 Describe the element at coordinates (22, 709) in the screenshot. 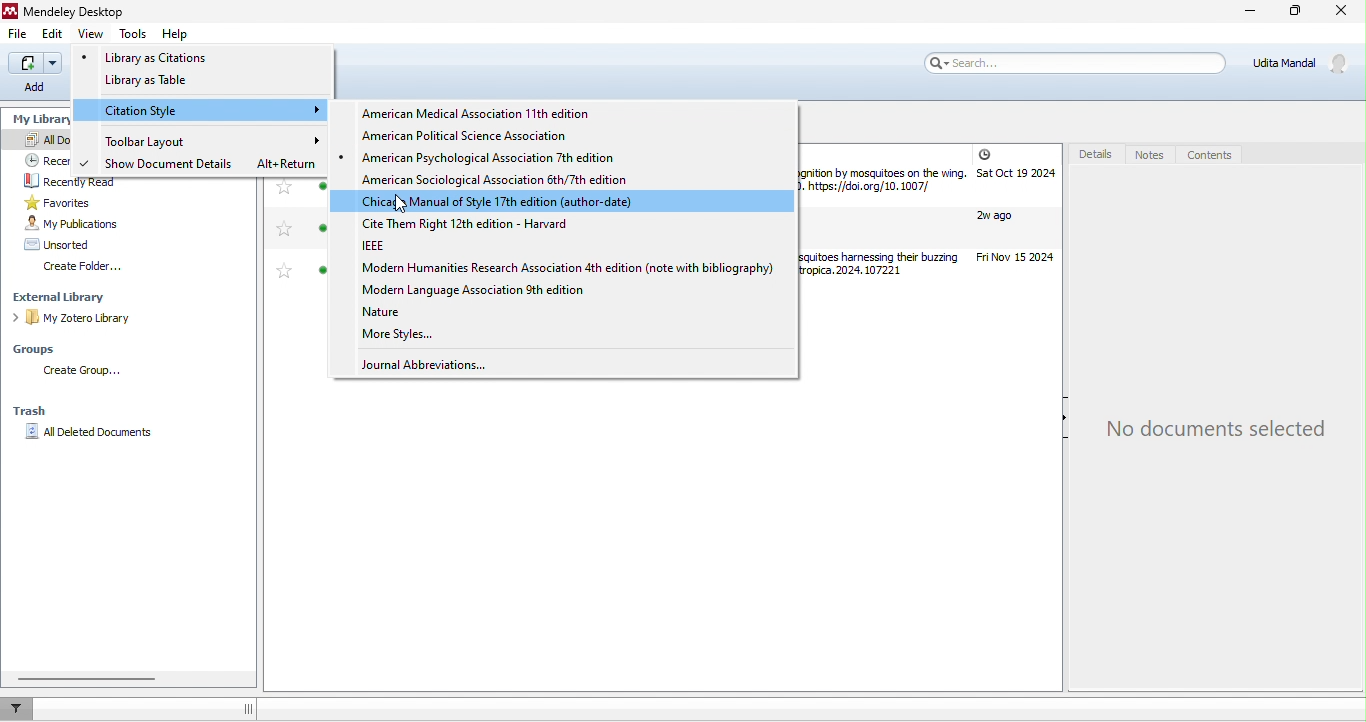

I see `filter` at that location.